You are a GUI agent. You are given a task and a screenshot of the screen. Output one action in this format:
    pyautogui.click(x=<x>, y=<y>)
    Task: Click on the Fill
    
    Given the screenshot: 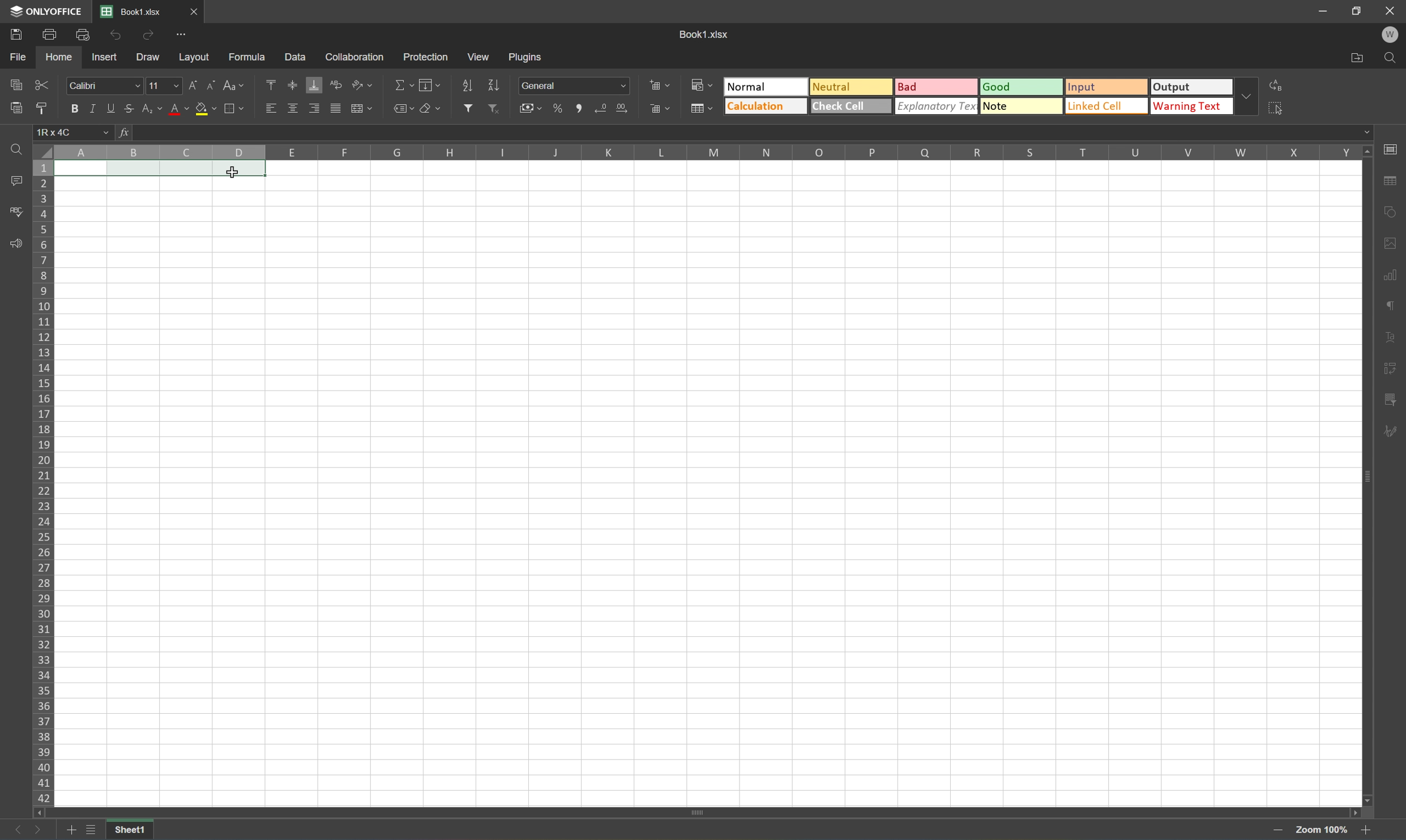 What is the action you would take?
    pyautogui.click(x=429, y=85)
    